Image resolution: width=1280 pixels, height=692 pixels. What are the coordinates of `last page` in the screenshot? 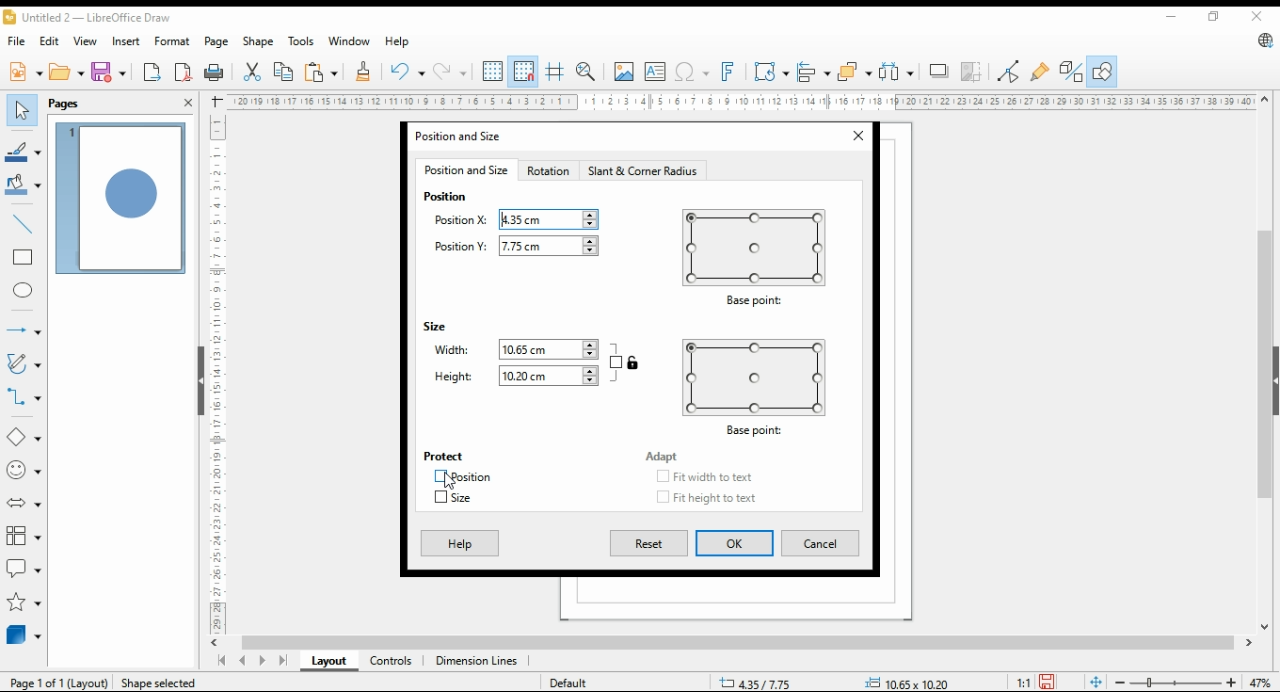 It's located at (281, 660).